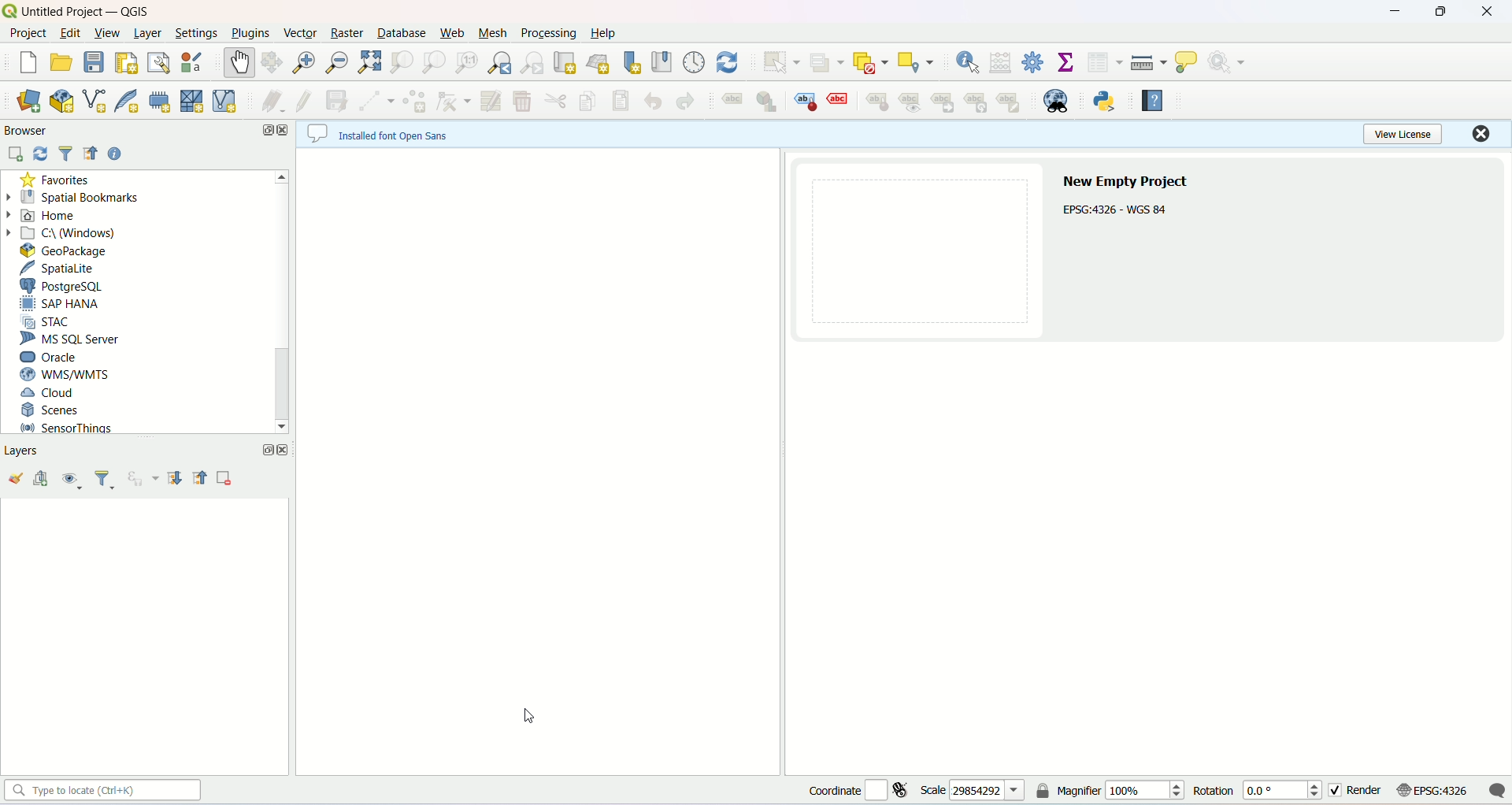 The height and width of the screenshot is (805, 1512). What do you see at coordinates (523, 97) in the screenshot?
I see `delete` at bounding box center [523, 97].